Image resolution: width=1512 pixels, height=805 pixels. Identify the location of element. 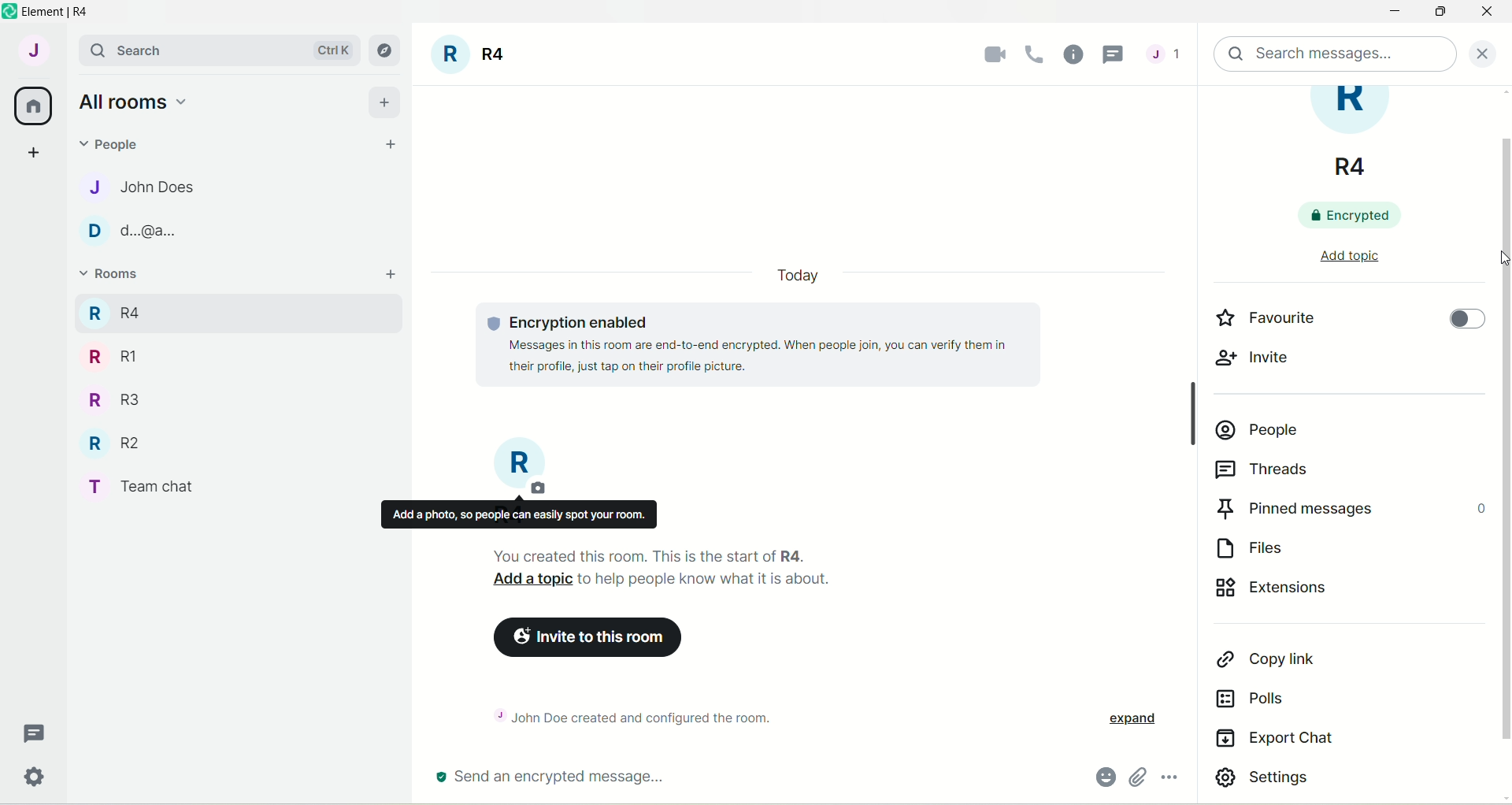
(62, 11).